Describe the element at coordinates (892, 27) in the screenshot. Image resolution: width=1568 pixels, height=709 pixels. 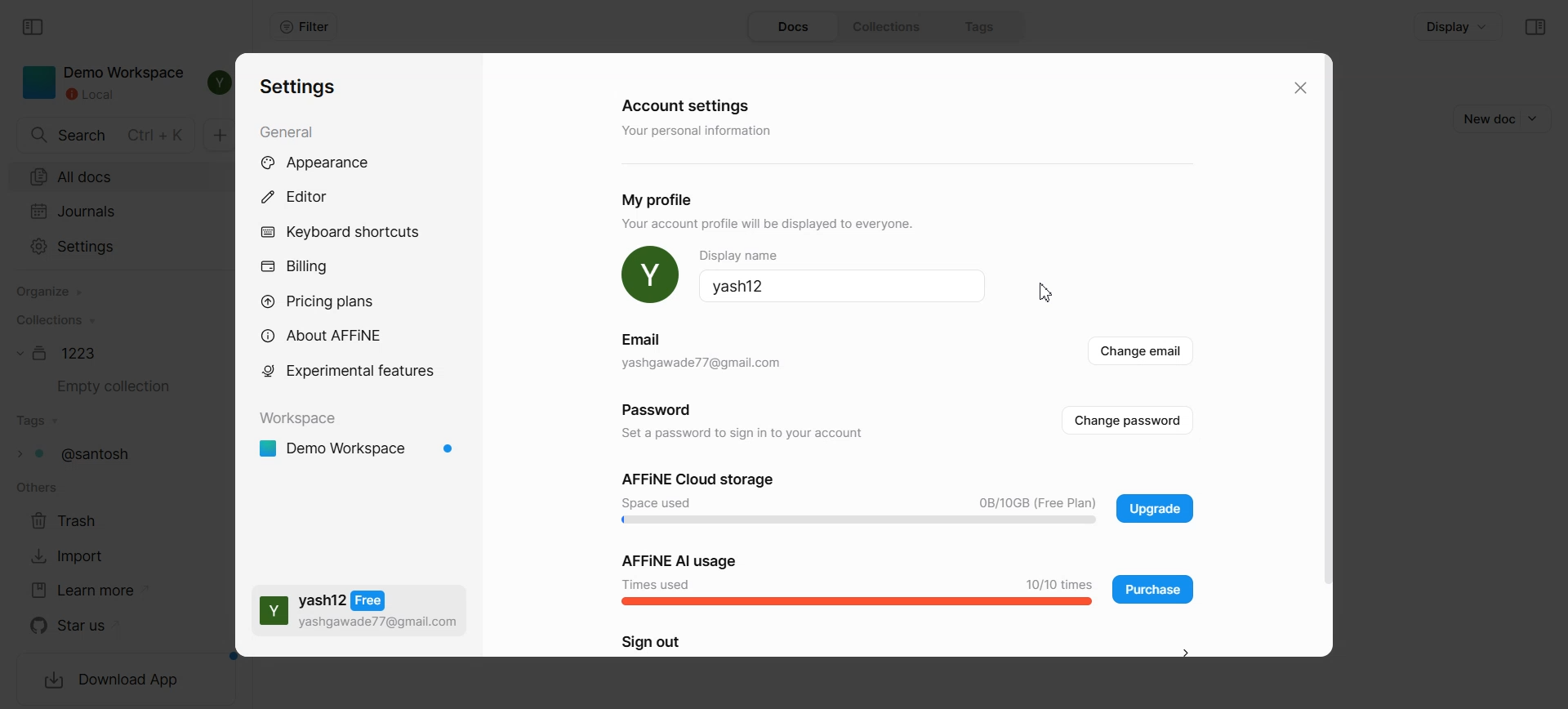
I see `Collections` at that location.